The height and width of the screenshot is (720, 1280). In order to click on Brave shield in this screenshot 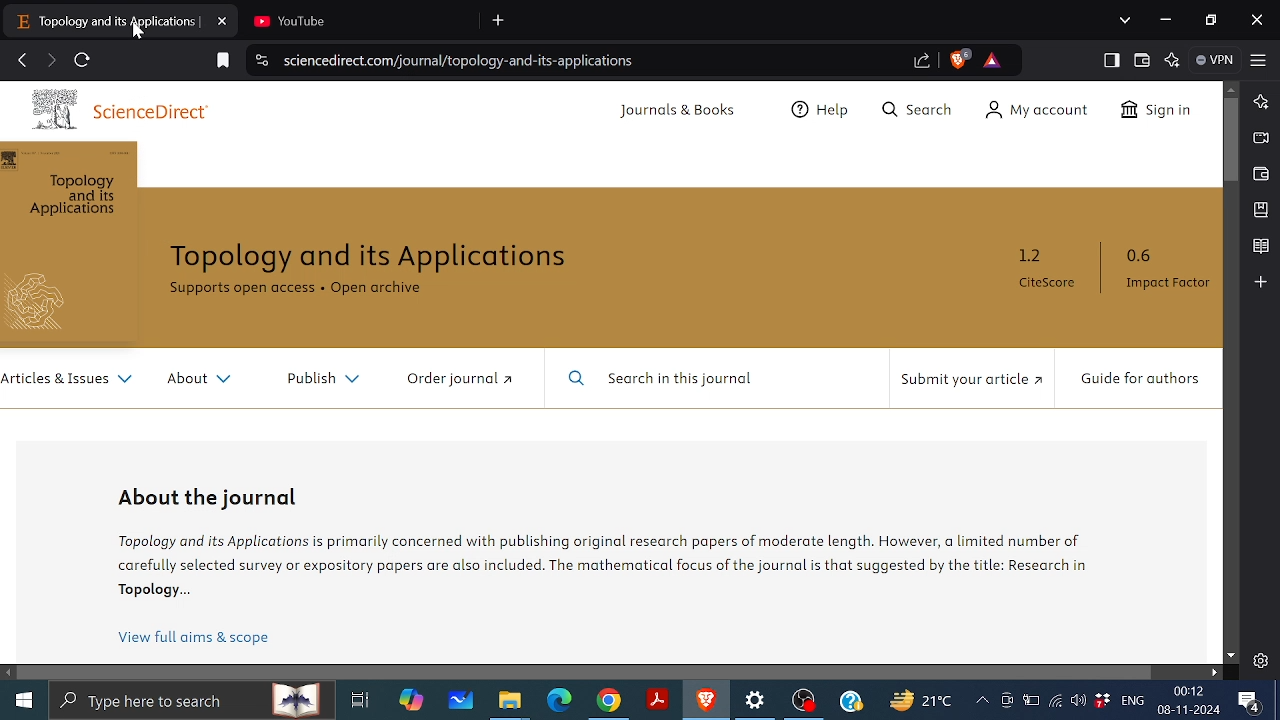, I will do `click(959, 59)`.